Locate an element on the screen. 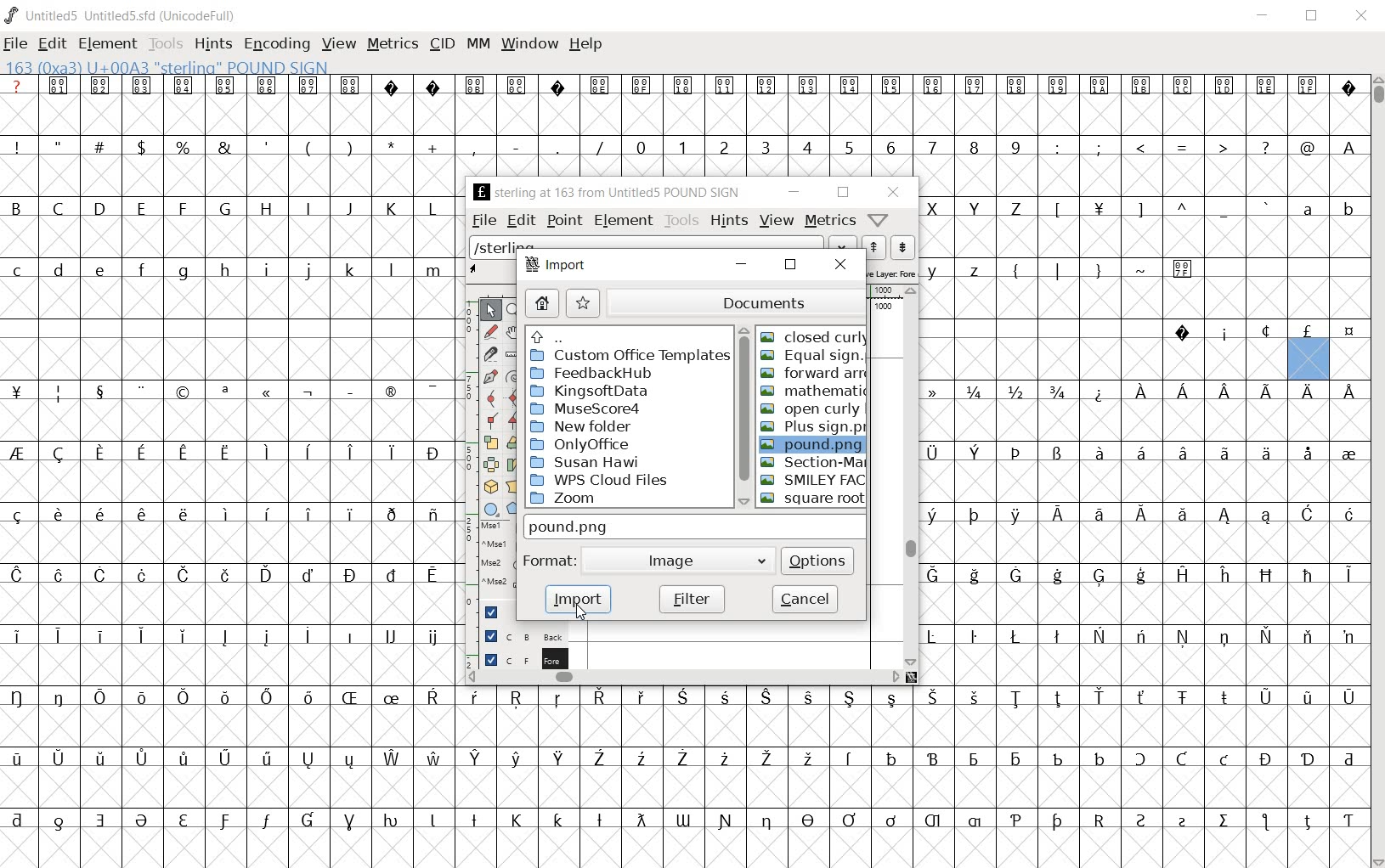  % is located at coordinates (184, 147).